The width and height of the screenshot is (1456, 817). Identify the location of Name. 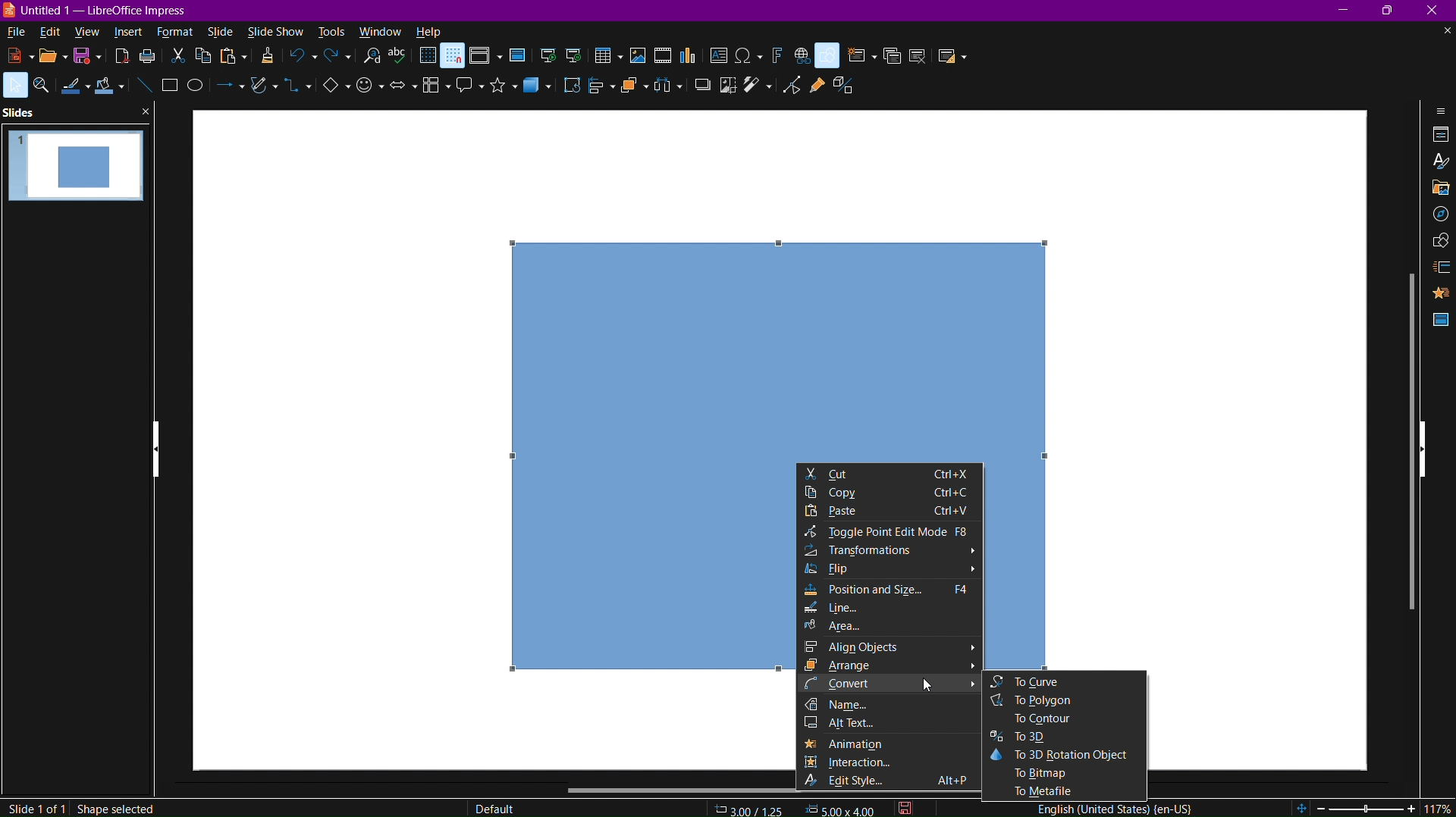
(889, 704).